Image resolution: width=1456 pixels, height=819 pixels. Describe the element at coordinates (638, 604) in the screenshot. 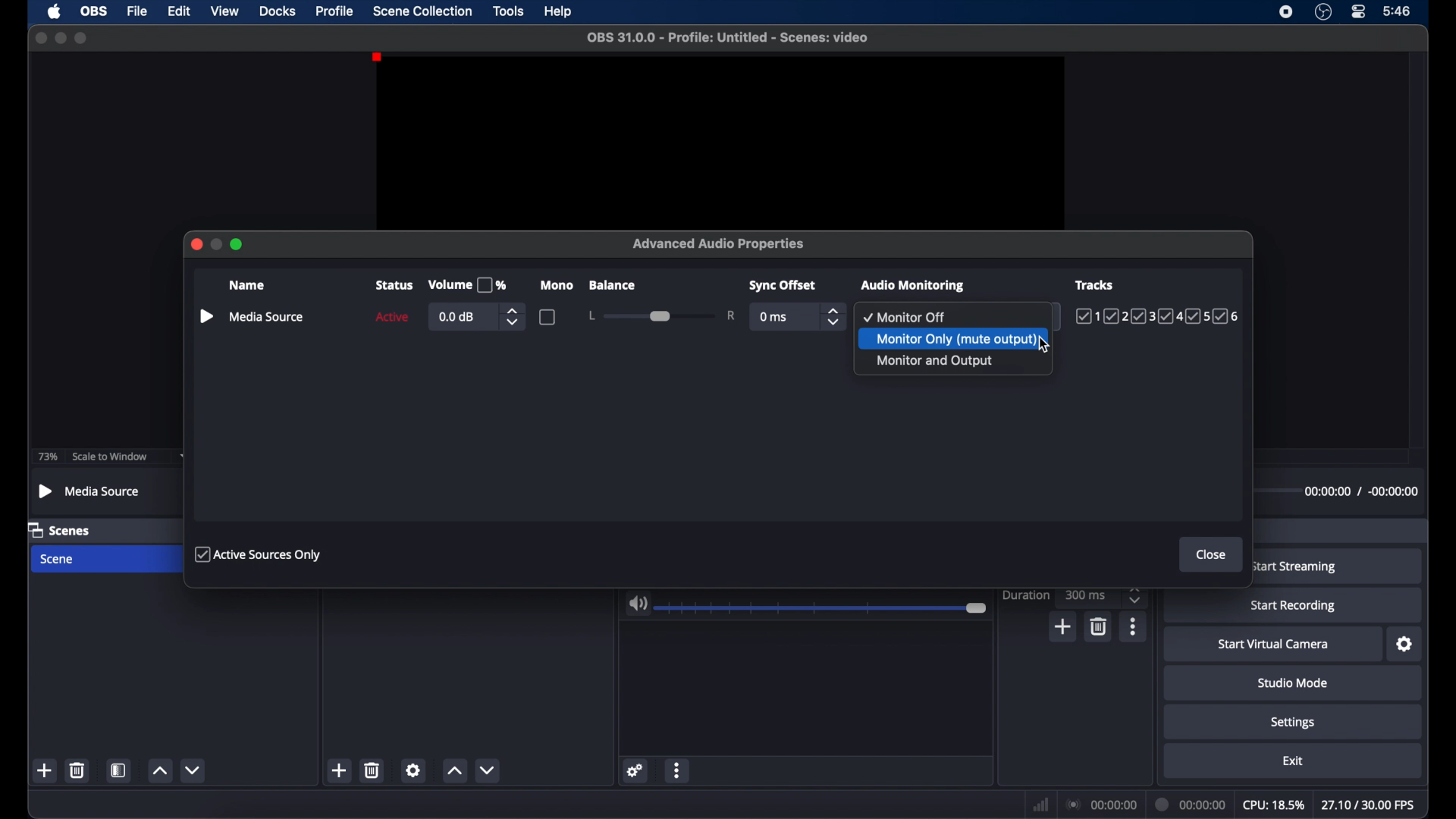

I see `volume` at that location.